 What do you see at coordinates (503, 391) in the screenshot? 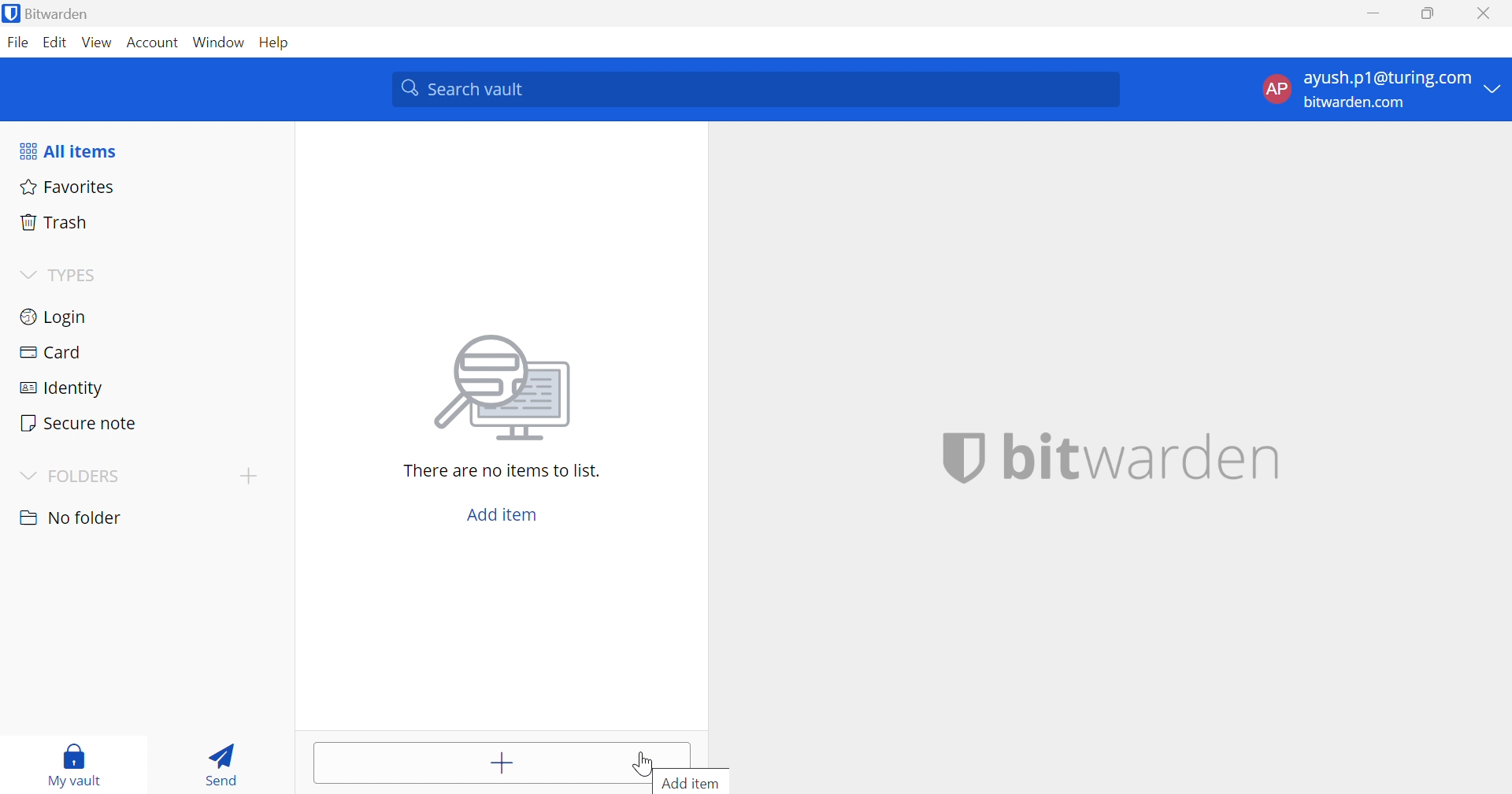
I see `image` at bounding box center [503, 391].